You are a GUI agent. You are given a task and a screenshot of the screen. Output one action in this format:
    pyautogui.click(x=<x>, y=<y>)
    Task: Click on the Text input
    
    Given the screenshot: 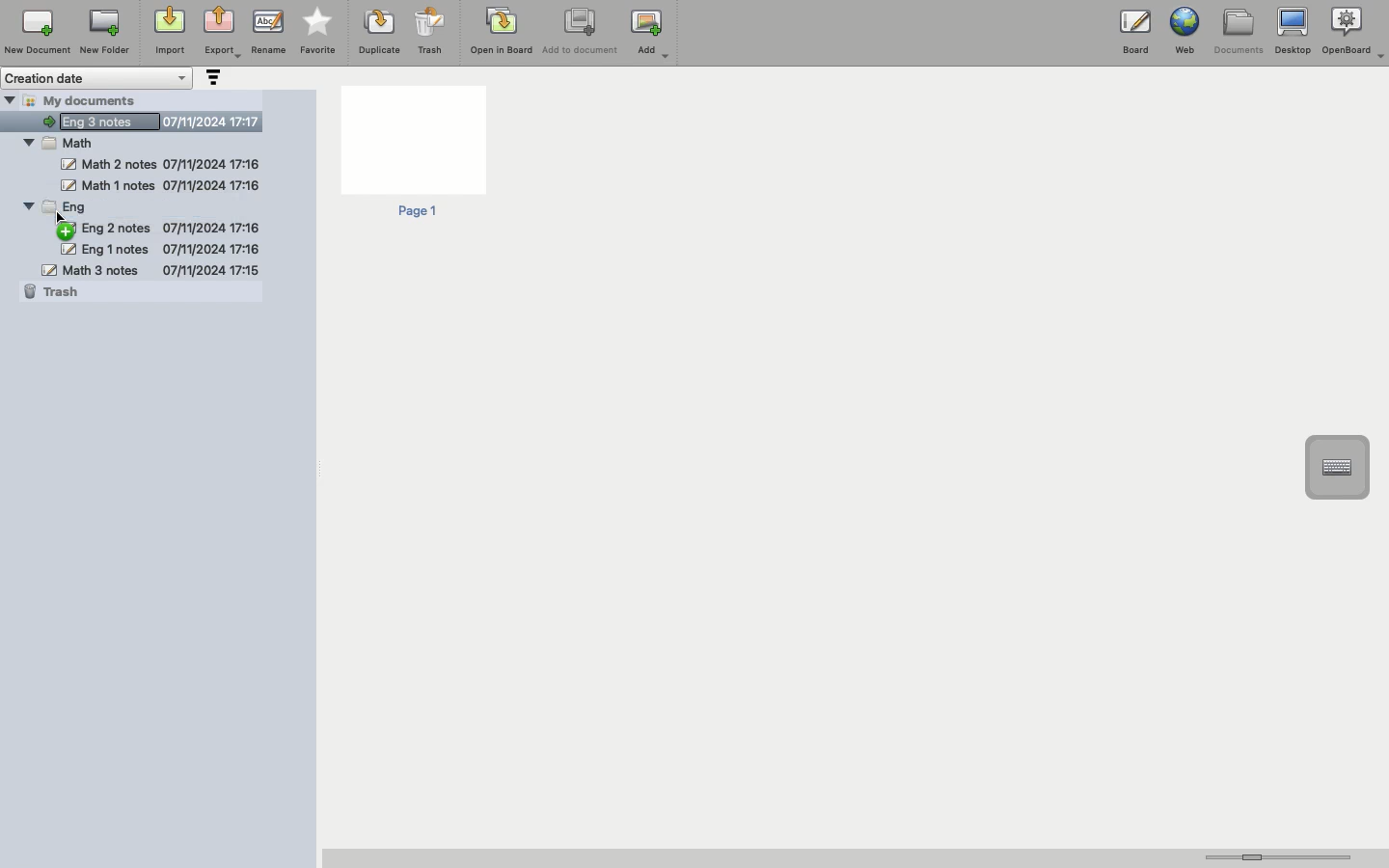 What is the action you would take?
    pyautogui.click(x=1336, y=468)
    